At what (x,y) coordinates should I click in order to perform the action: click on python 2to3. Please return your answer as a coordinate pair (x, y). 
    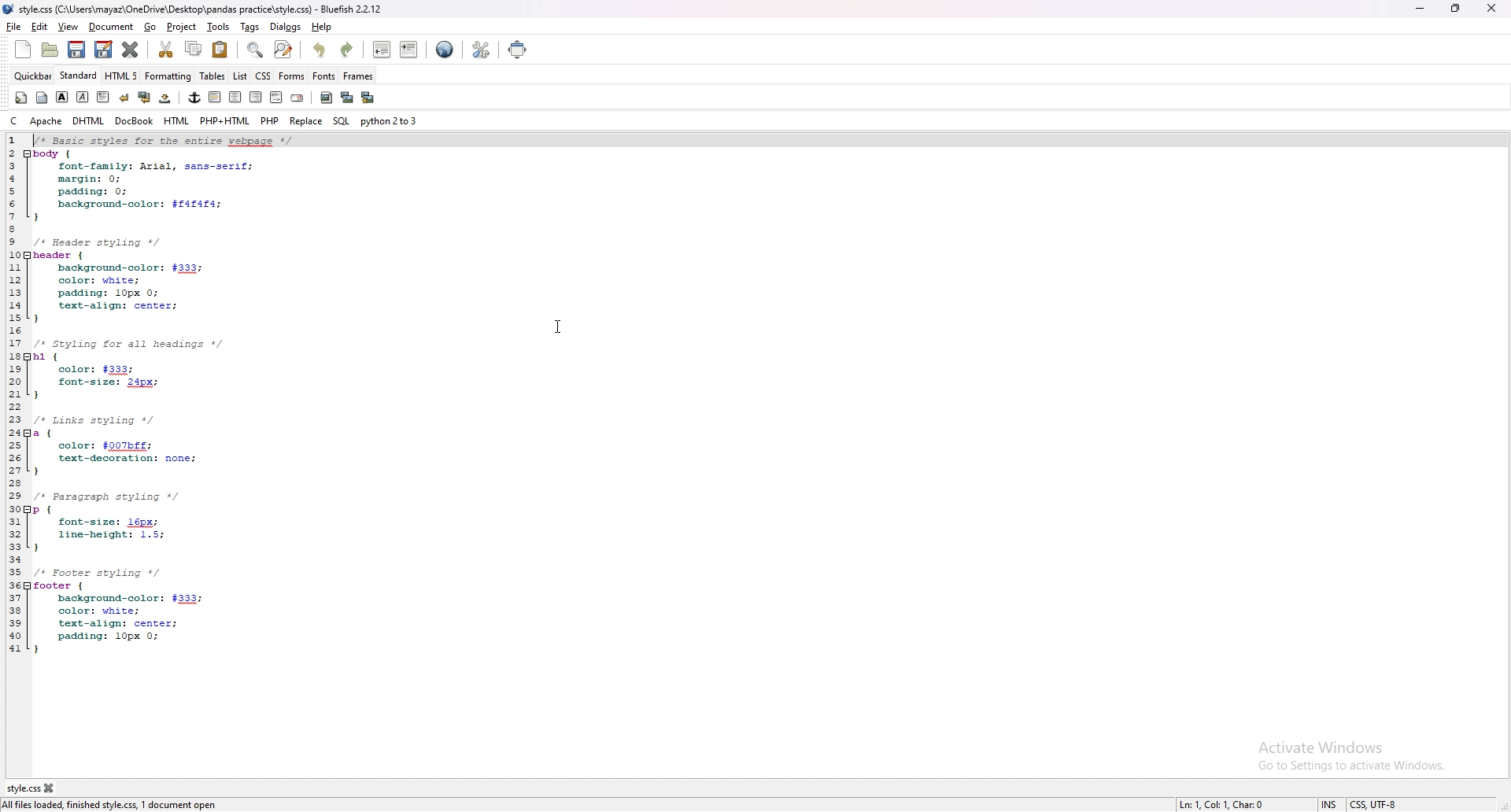
    Looking at the image, I should click on (390, 120).